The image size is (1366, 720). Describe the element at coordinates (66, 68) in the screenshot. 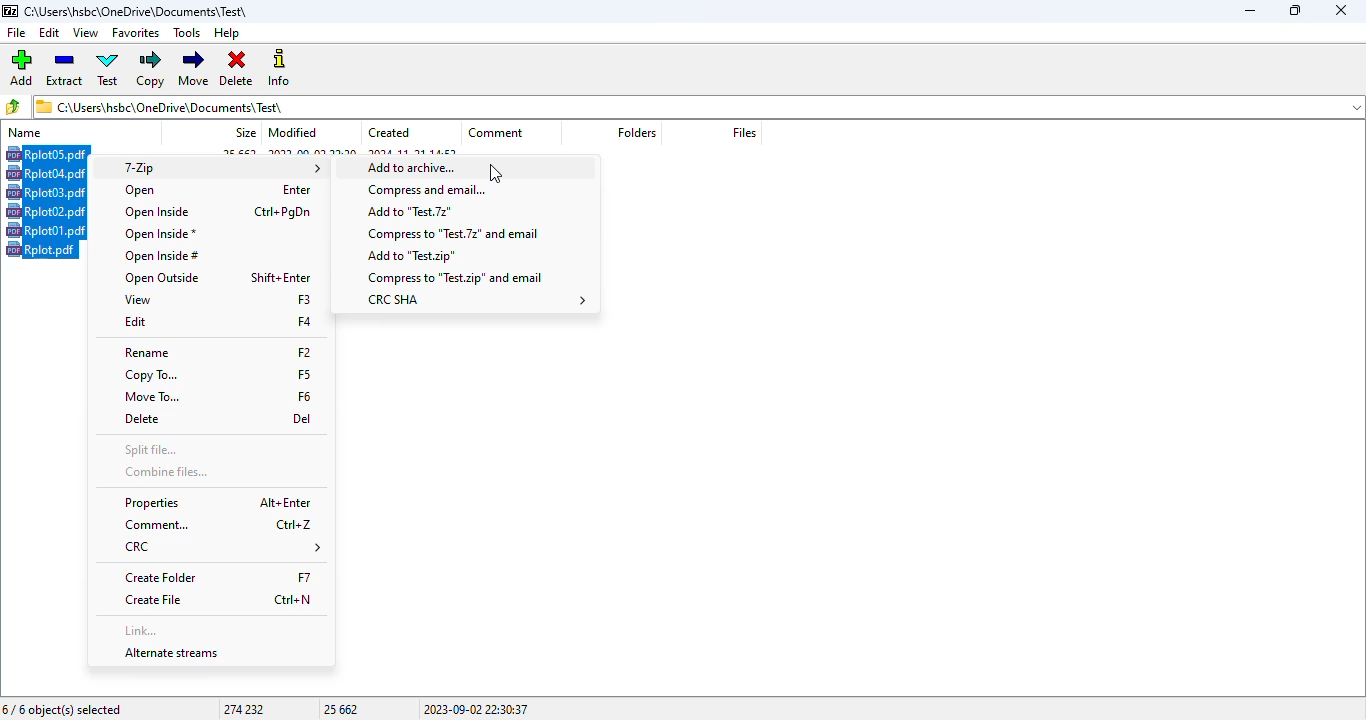

I see `extract` at that location.